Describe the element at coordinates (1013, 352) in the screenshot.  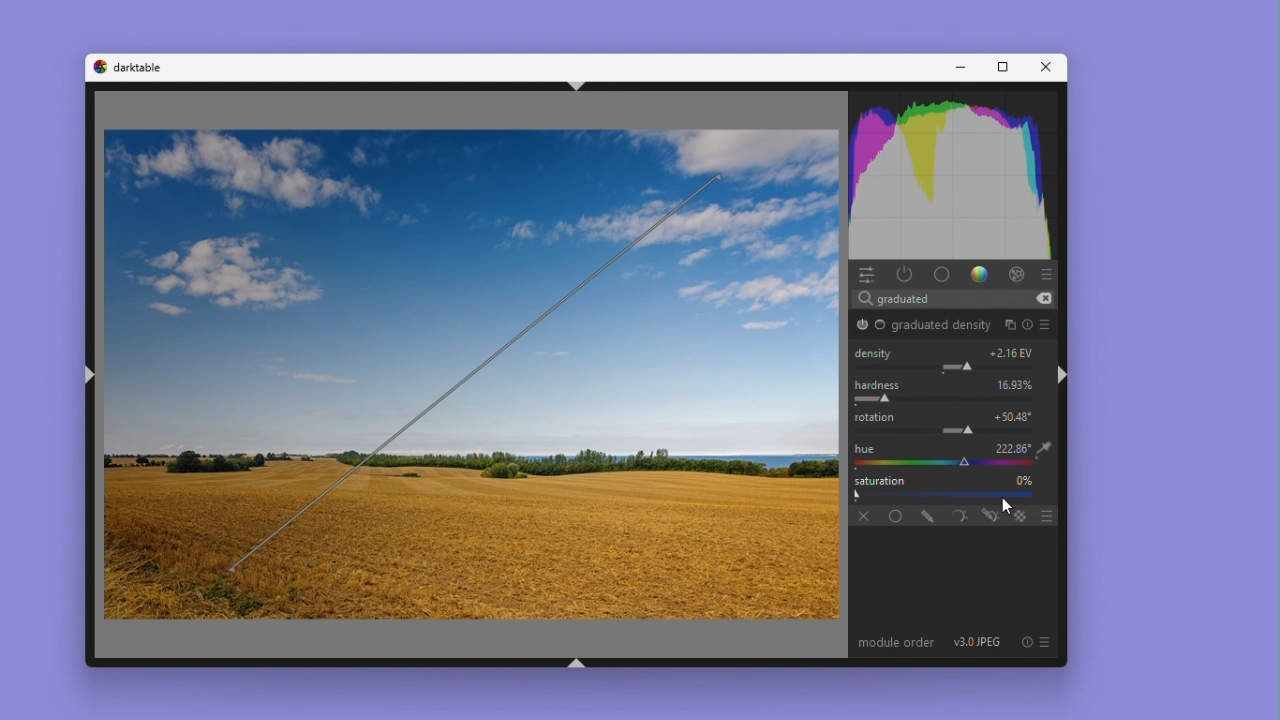
I see `+1.00 EV` at that location.